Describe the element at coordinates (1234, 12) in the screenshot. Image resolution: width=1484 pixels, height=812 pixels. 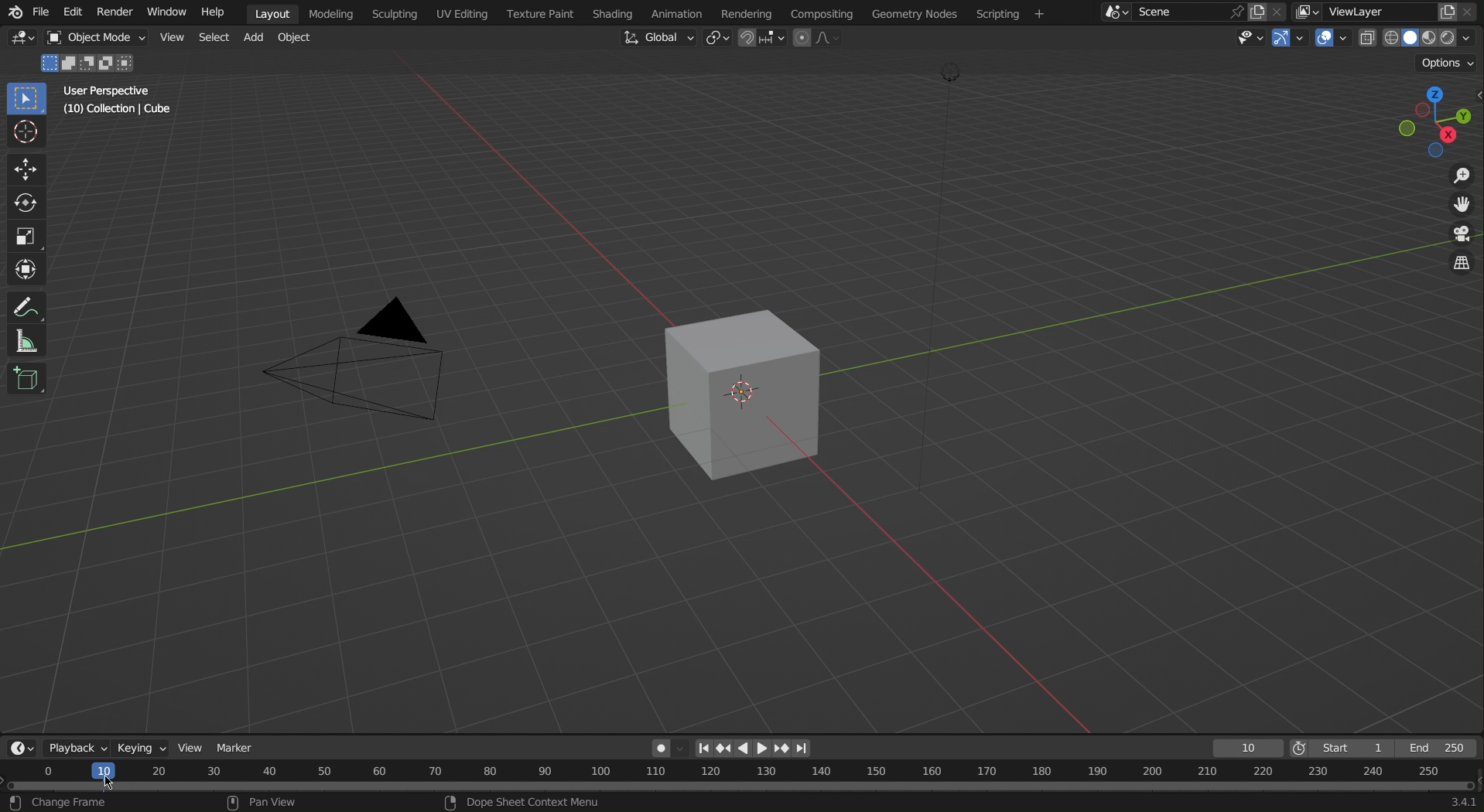
I see `pin` at that location.